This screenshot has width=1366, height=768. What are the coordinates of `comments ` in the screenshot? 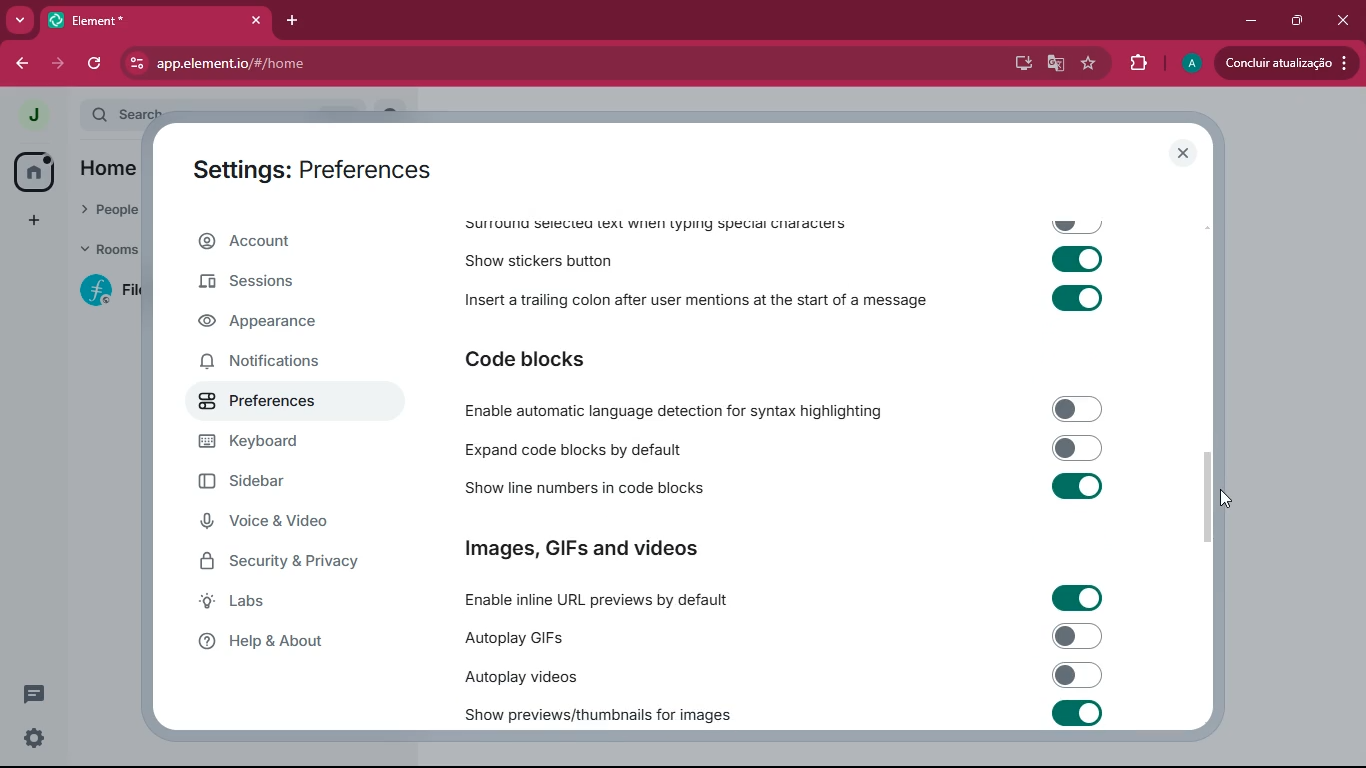 It's located at (48, 698).